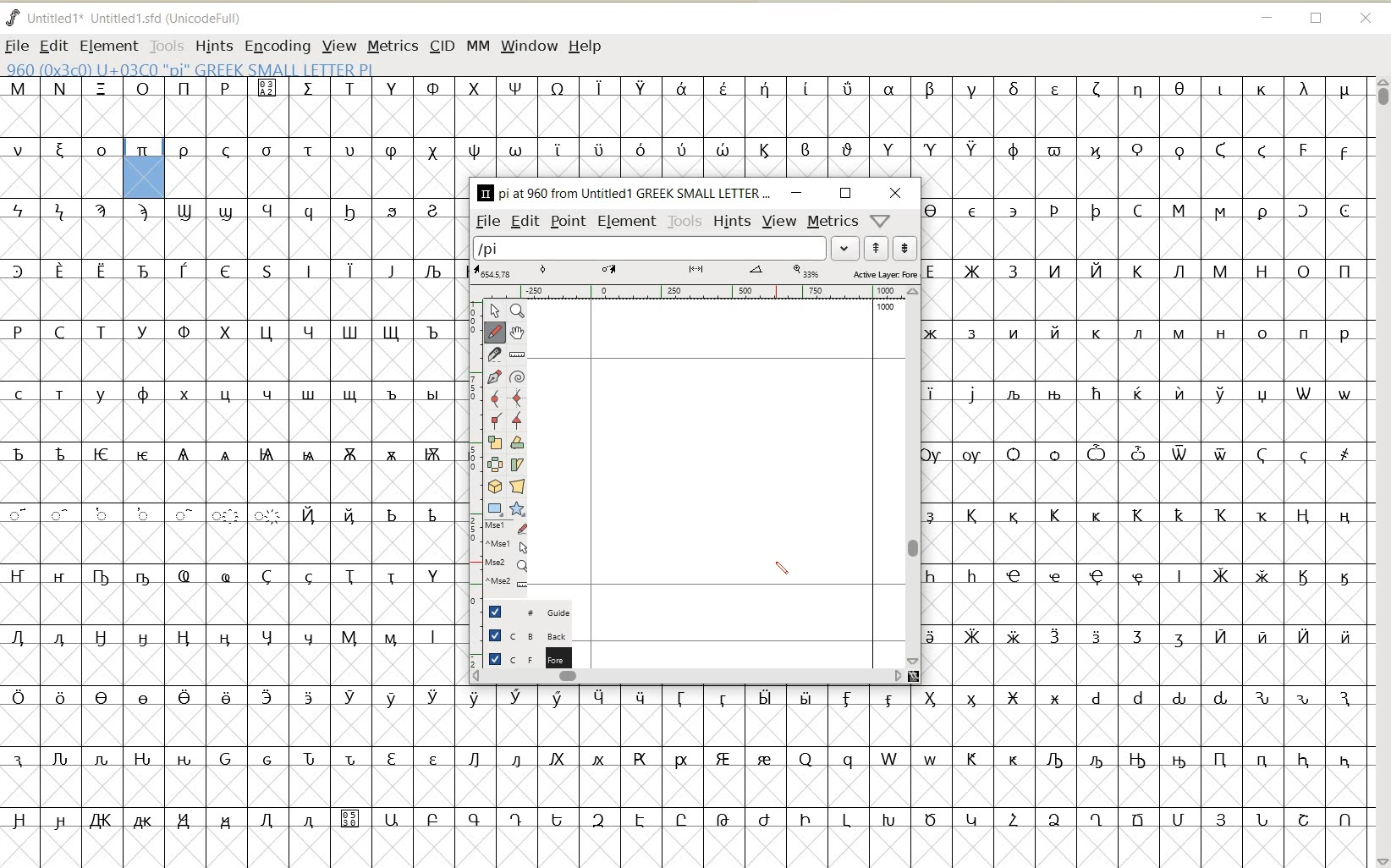 The image size is (1391, 868). I want to click on RESTORE, so click(1317, 19).